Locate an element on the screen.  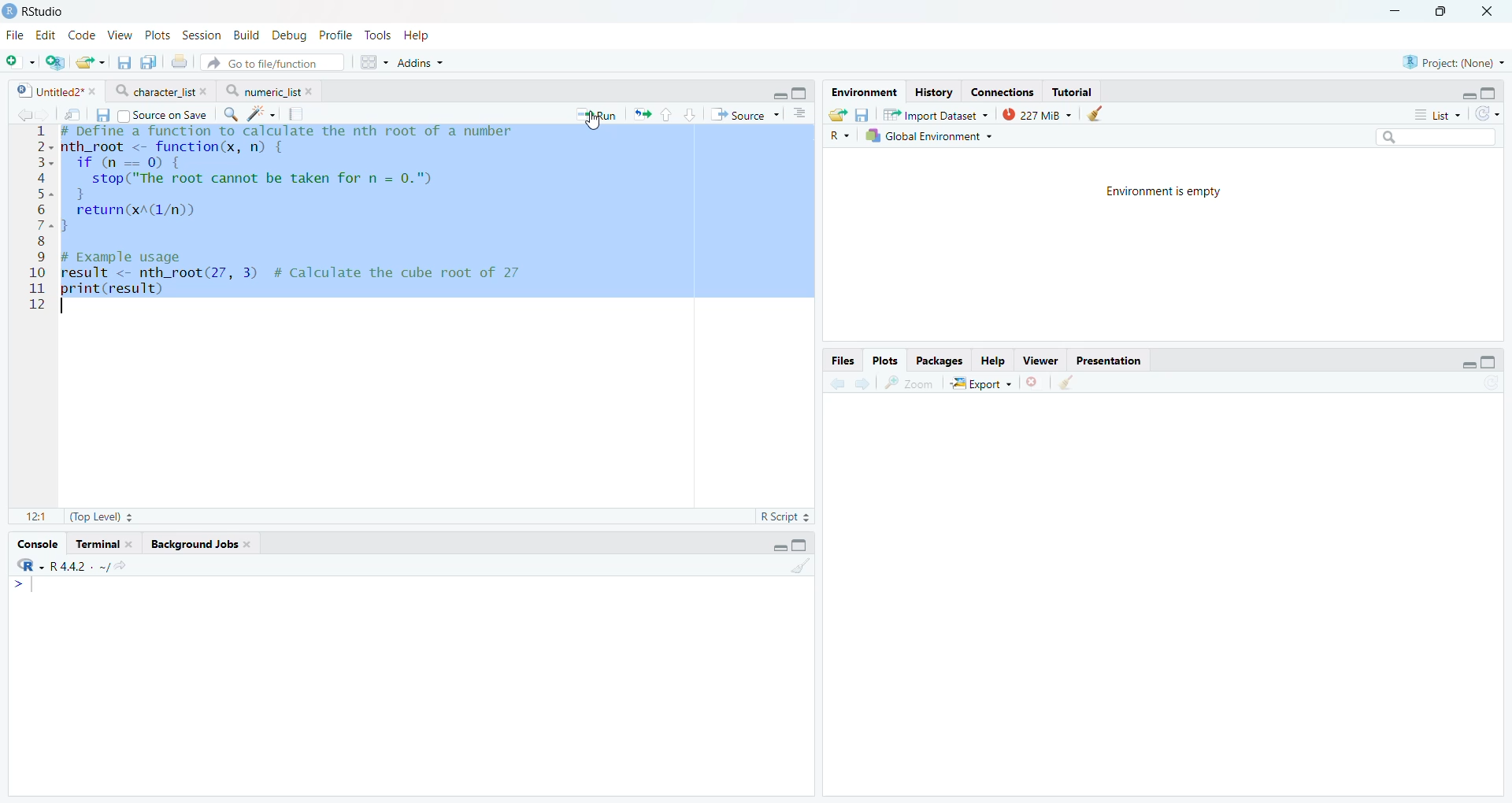
Go to next source location is located at coordinates (43, 116).